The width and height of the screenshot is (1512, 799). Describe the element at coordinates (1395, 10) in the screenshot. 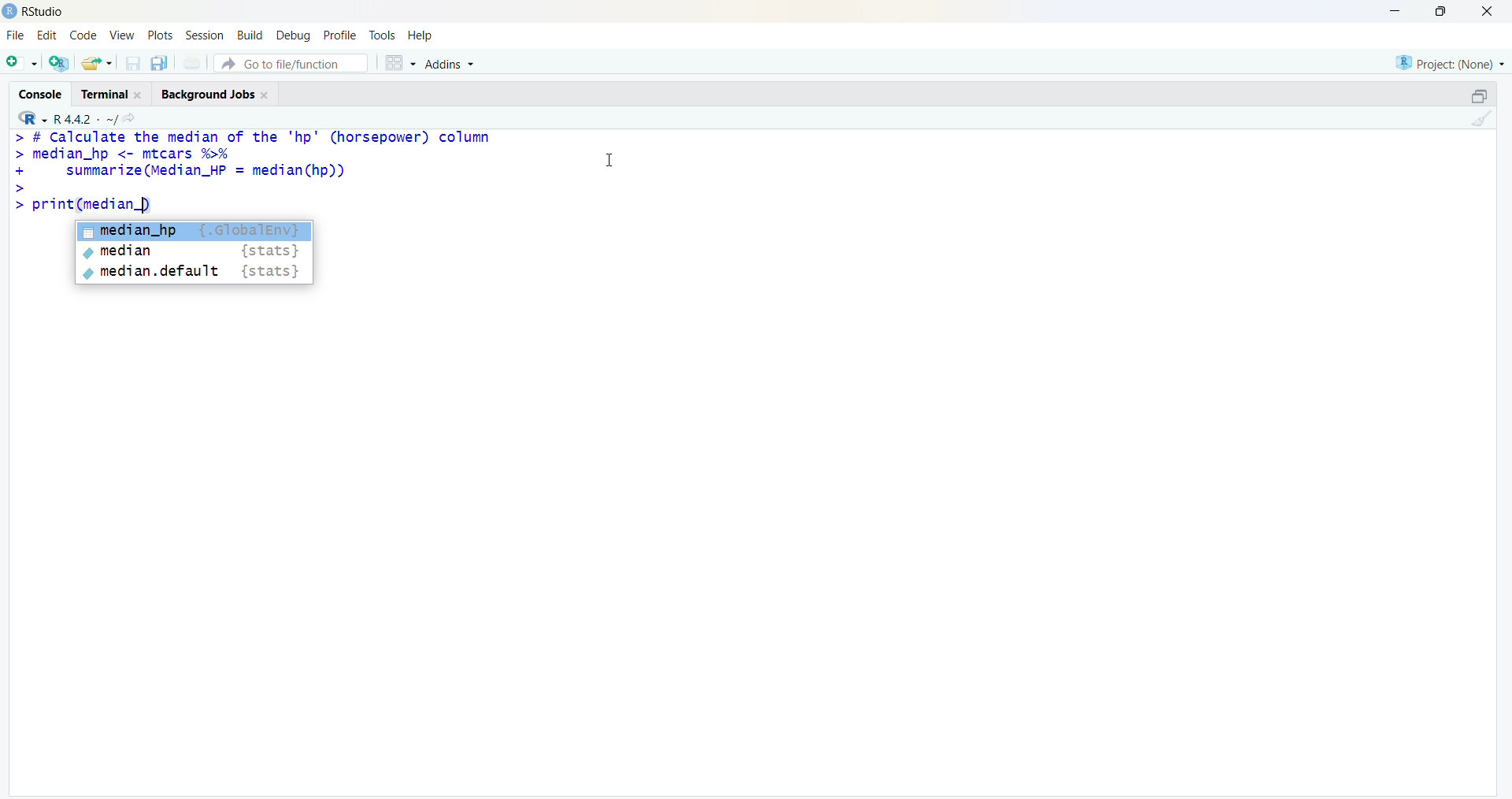

I see `minimise` at that location.